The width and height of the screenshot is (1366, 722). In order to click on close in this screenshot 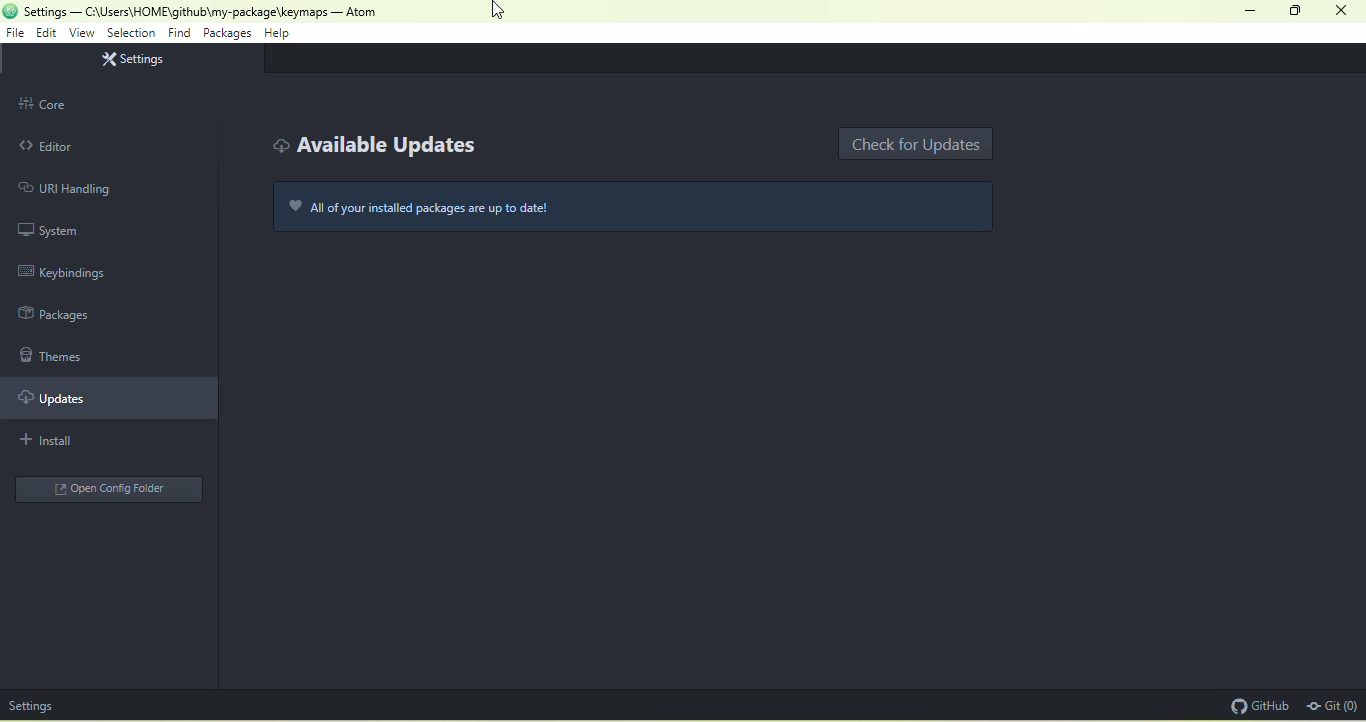, I will do `click(1345, 10)`.